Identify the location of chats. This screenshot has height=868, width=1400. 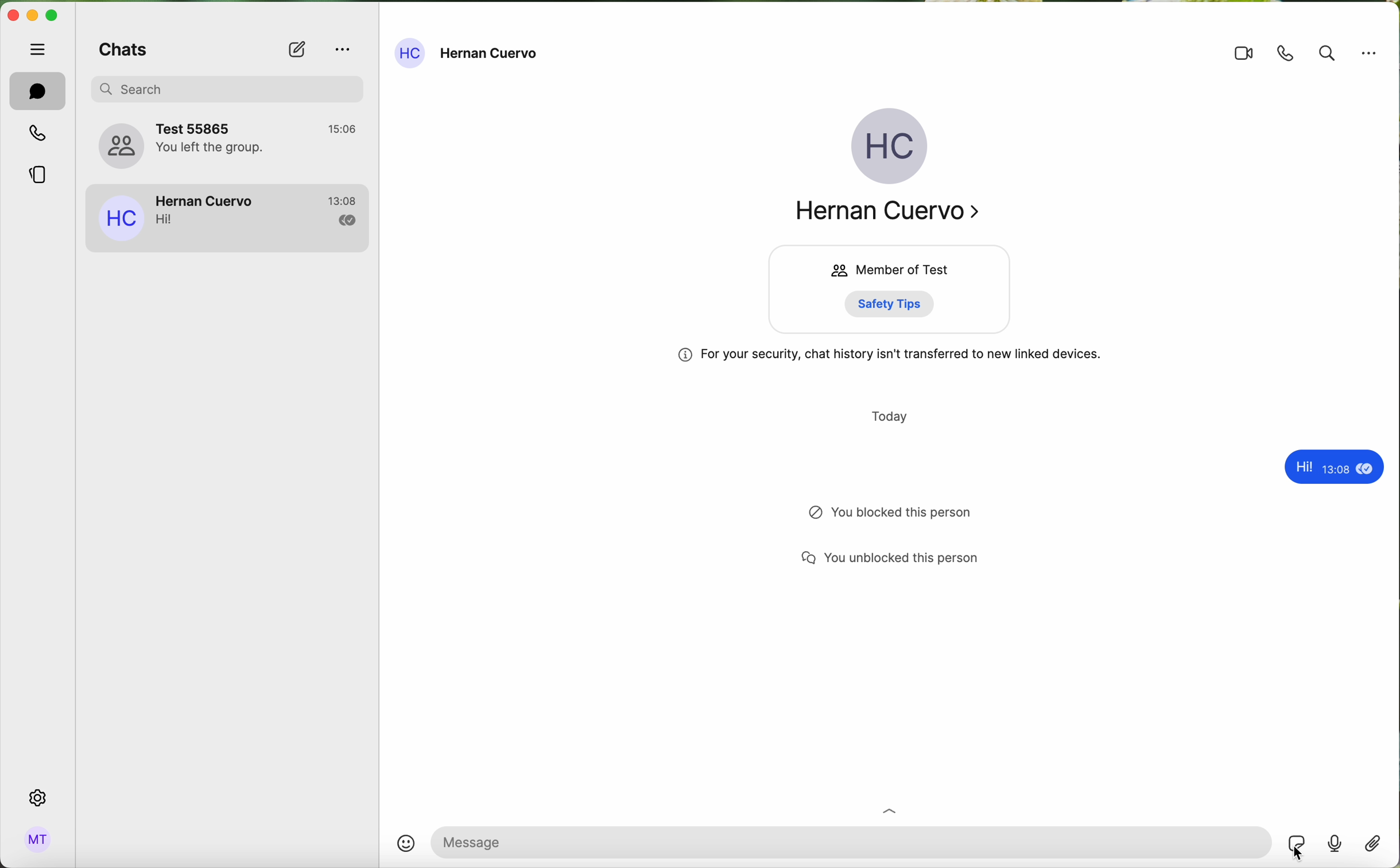
(37, 91).